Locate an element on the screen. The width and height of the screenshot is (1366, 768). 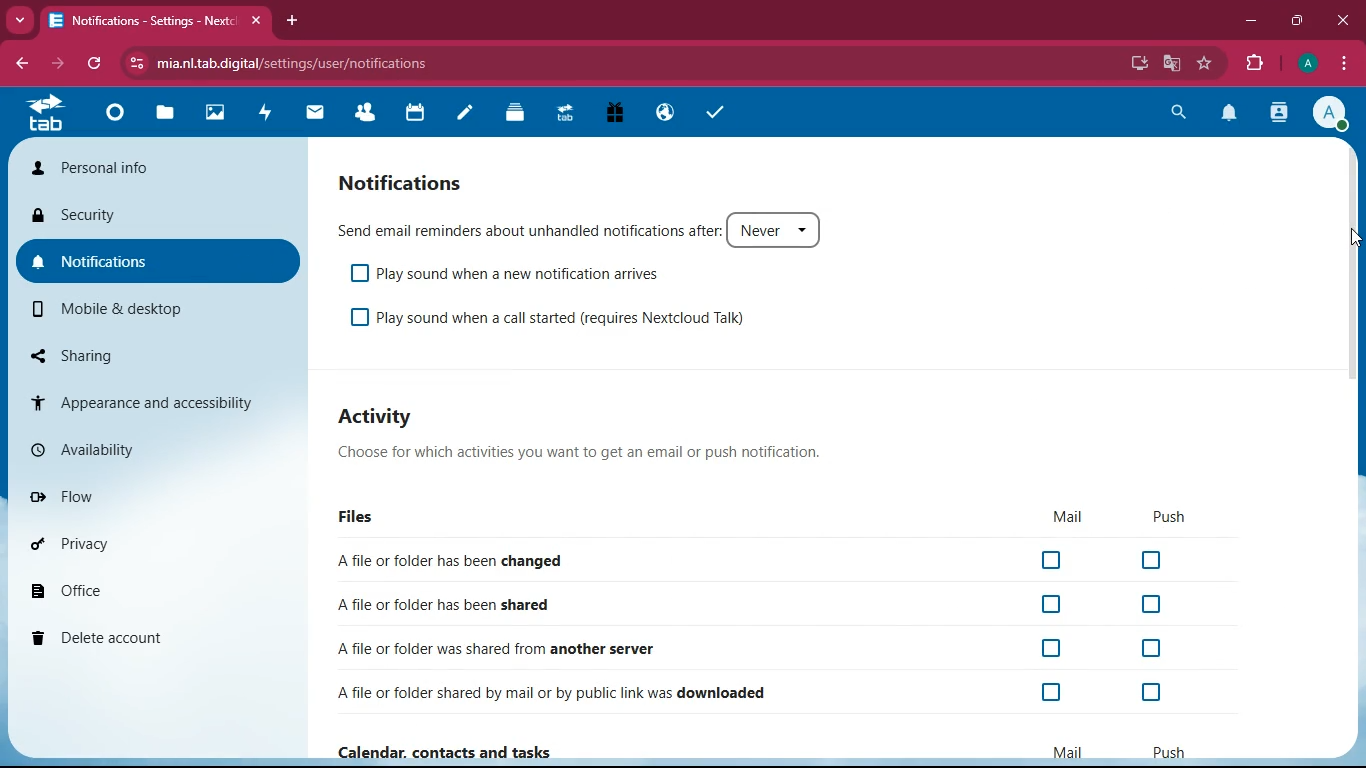
sharing is located at coordinates (152, 355).